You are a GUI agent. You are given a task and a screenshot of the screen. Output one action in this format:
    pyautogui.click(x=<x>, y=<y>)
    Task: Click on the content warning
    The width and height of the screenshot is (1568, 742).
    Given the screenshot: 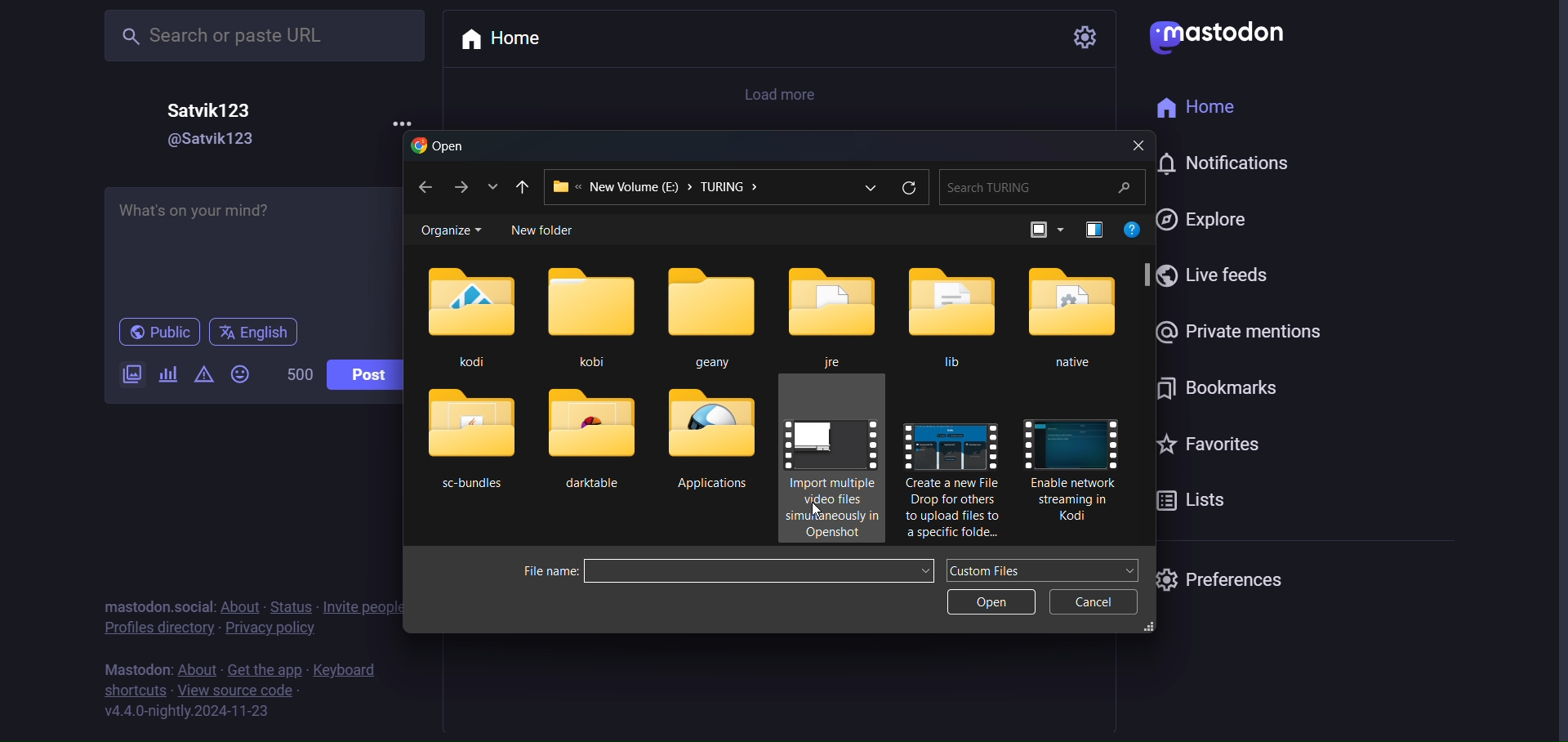 What is the action you would take?
    pyautogui.click(x=203, y=375)
    